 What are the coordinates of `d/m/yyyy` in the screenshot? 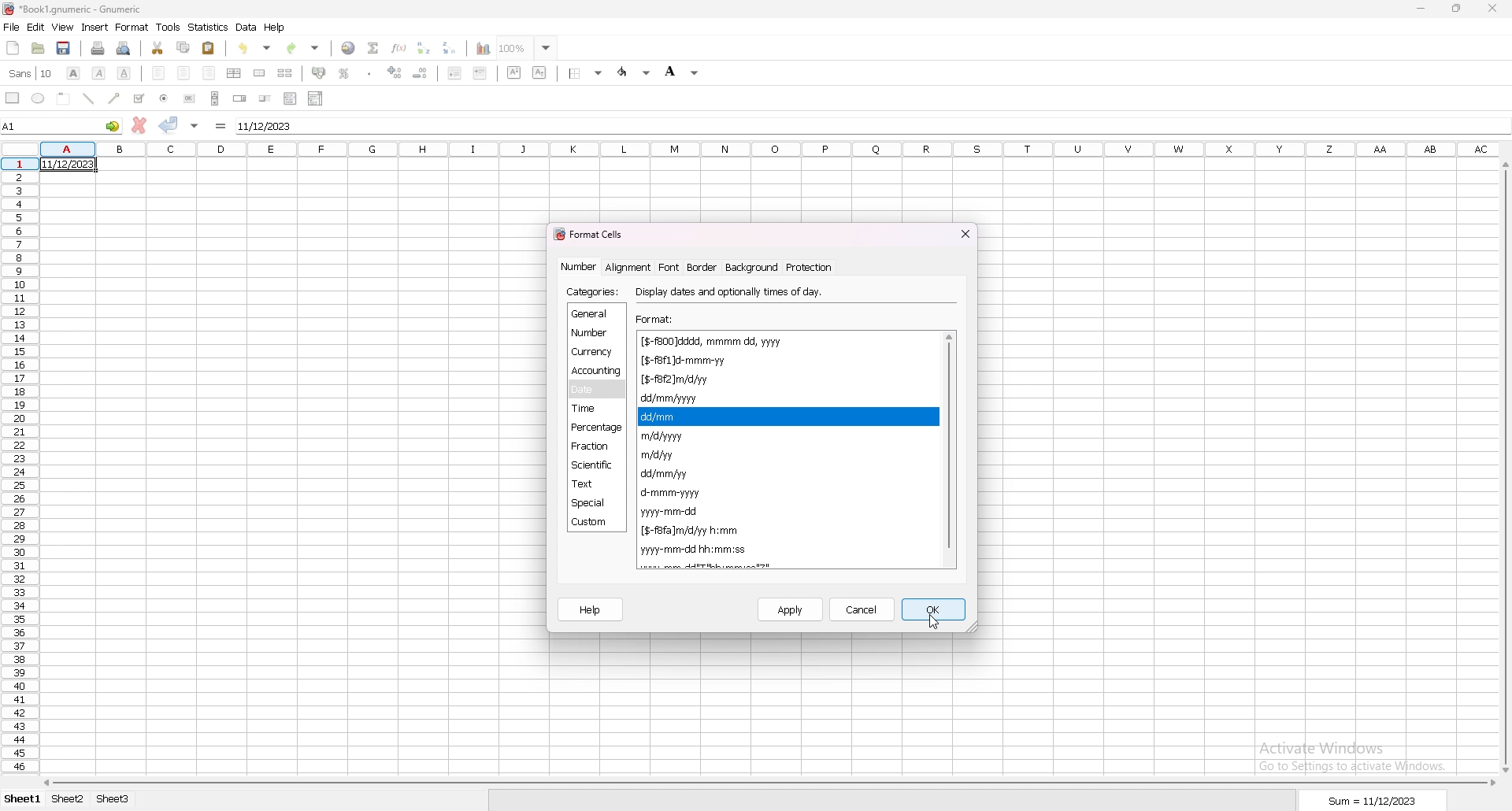 It's located at (730, 565).